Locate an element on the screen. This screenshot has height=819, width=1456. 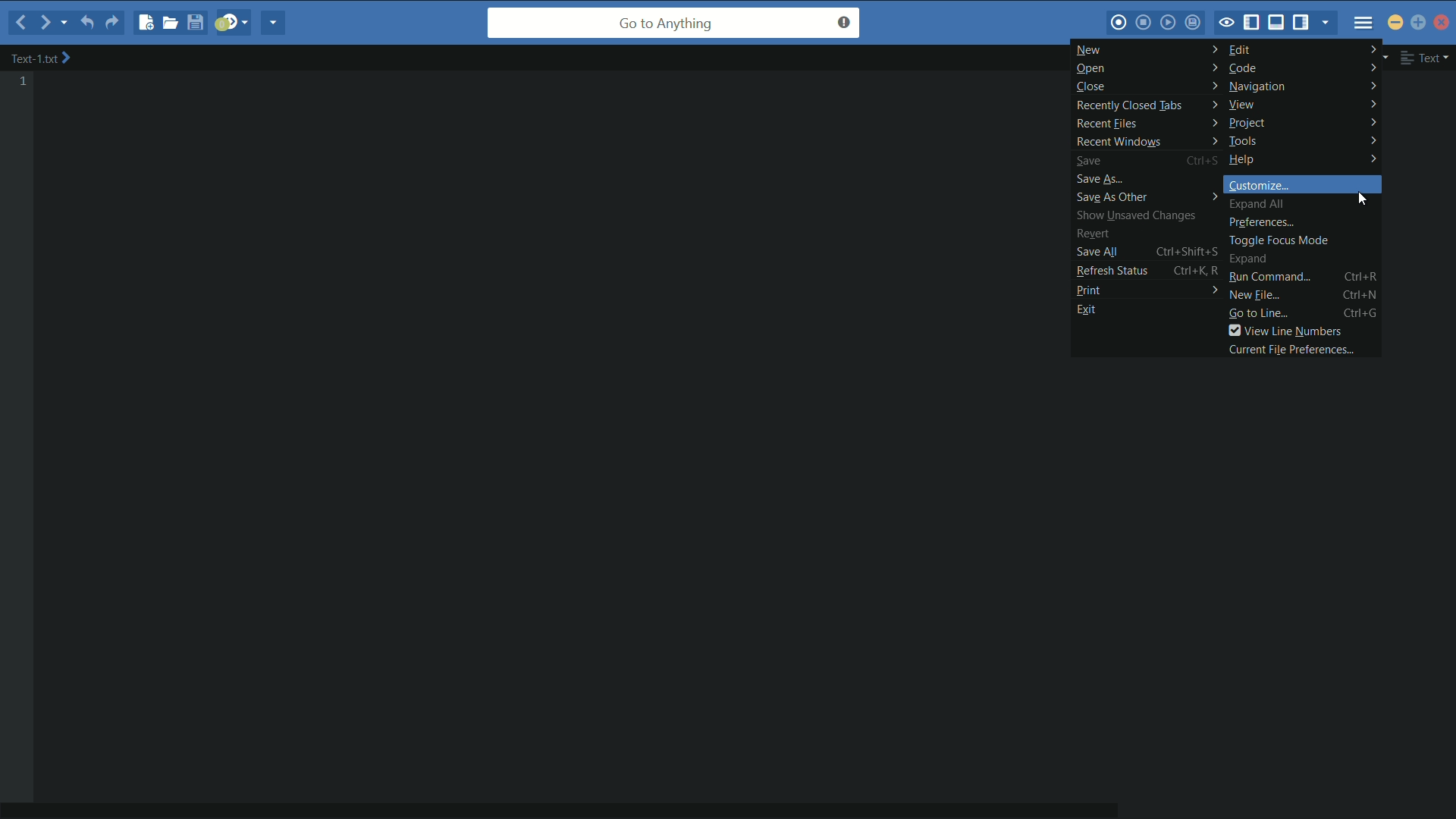
run command is located at coordinates (1268, 277).